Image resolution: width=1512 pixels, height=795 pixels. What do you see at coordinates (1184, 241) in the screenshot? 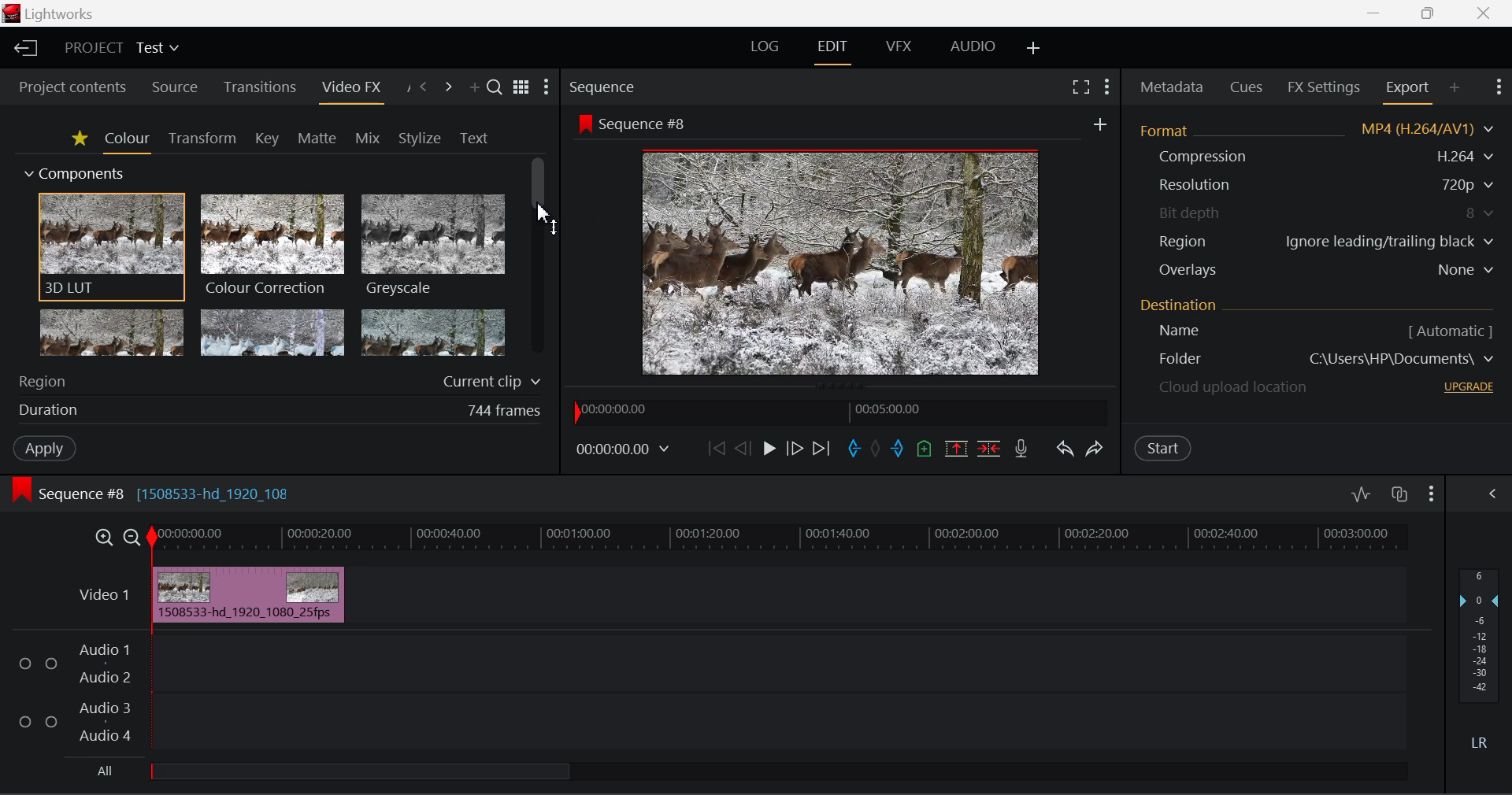
I see `Region` at bounding box center [1184, 241].